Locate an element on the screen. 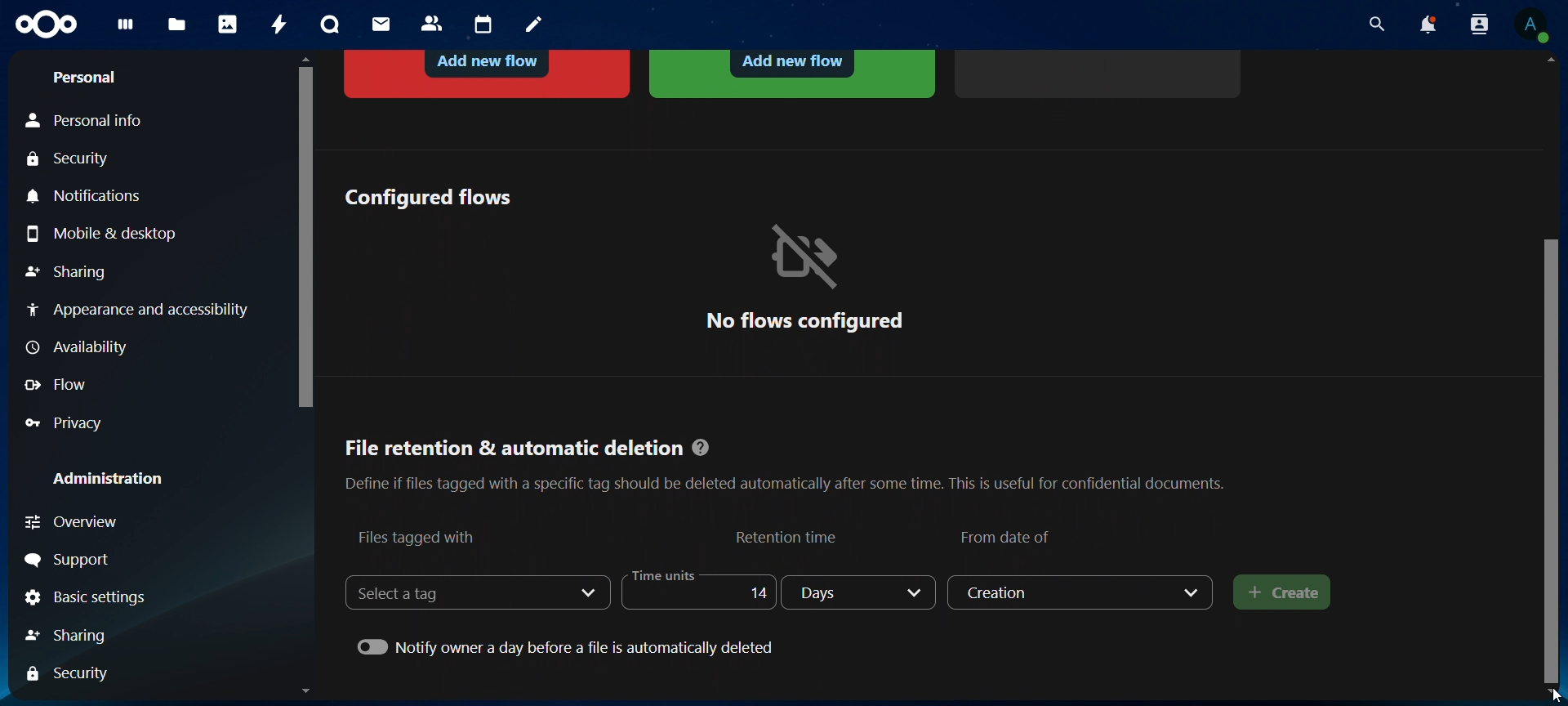  scrollbar is located at coordinates (1554, 457).